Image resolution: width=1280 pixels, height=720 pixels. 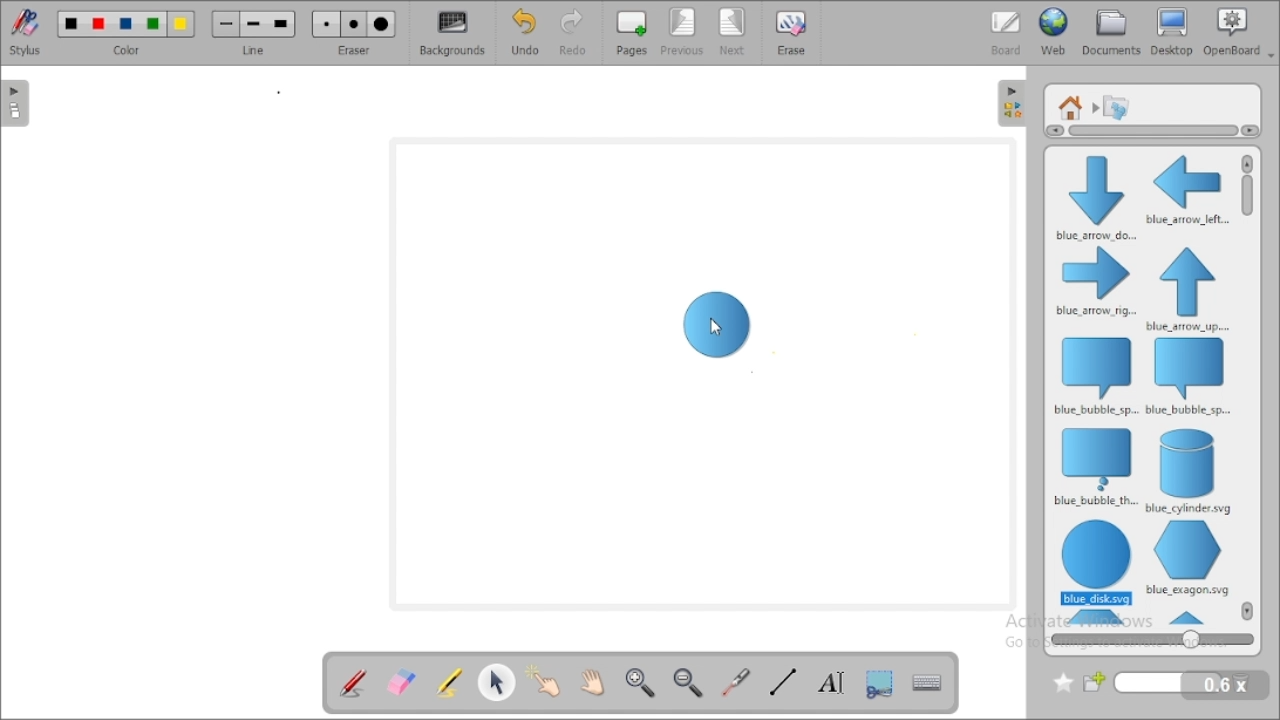 I want to click on select and modify objects, so click(x=498, y=681).